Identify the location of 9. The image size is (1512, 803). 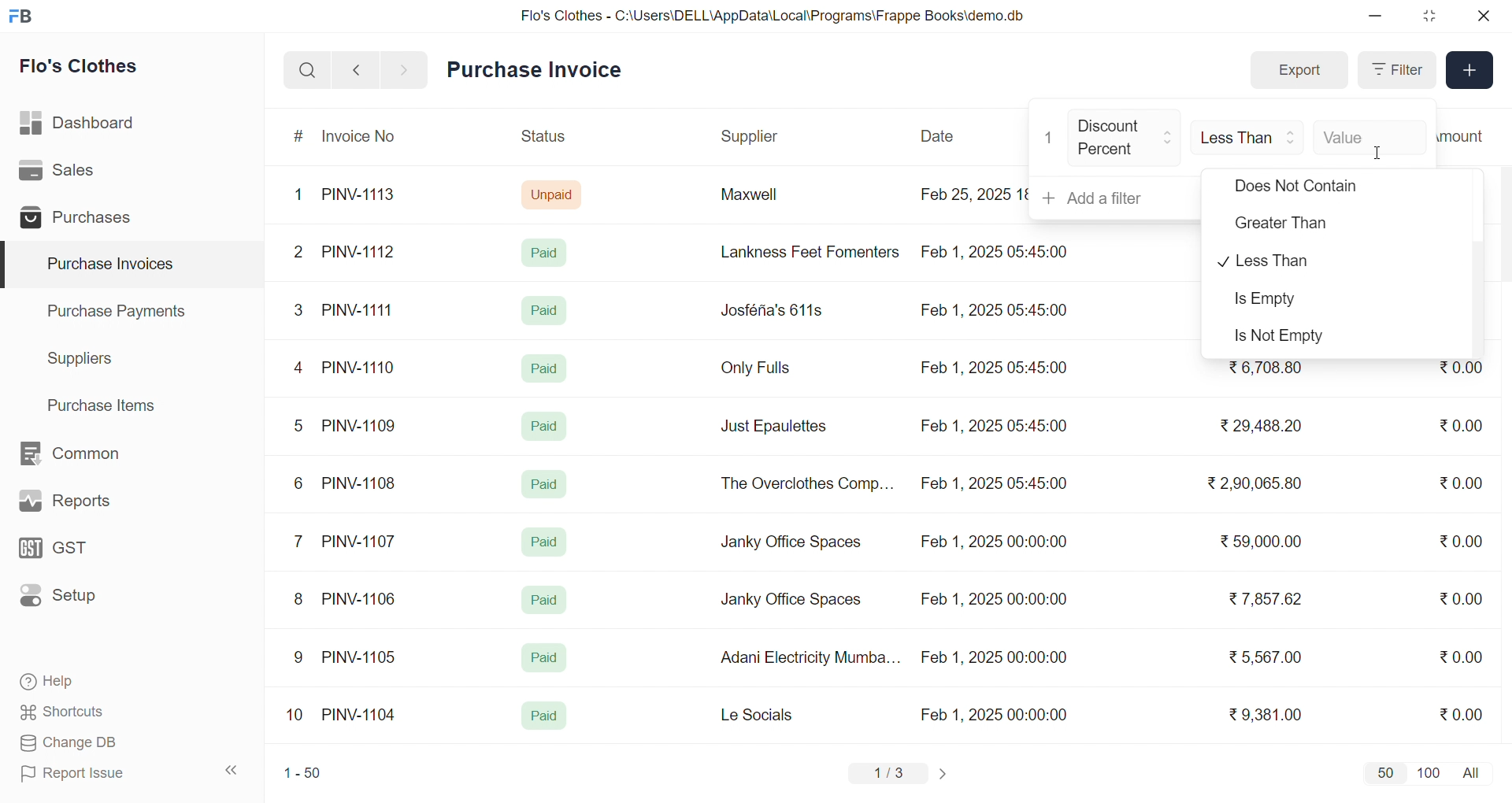
(299, 657).